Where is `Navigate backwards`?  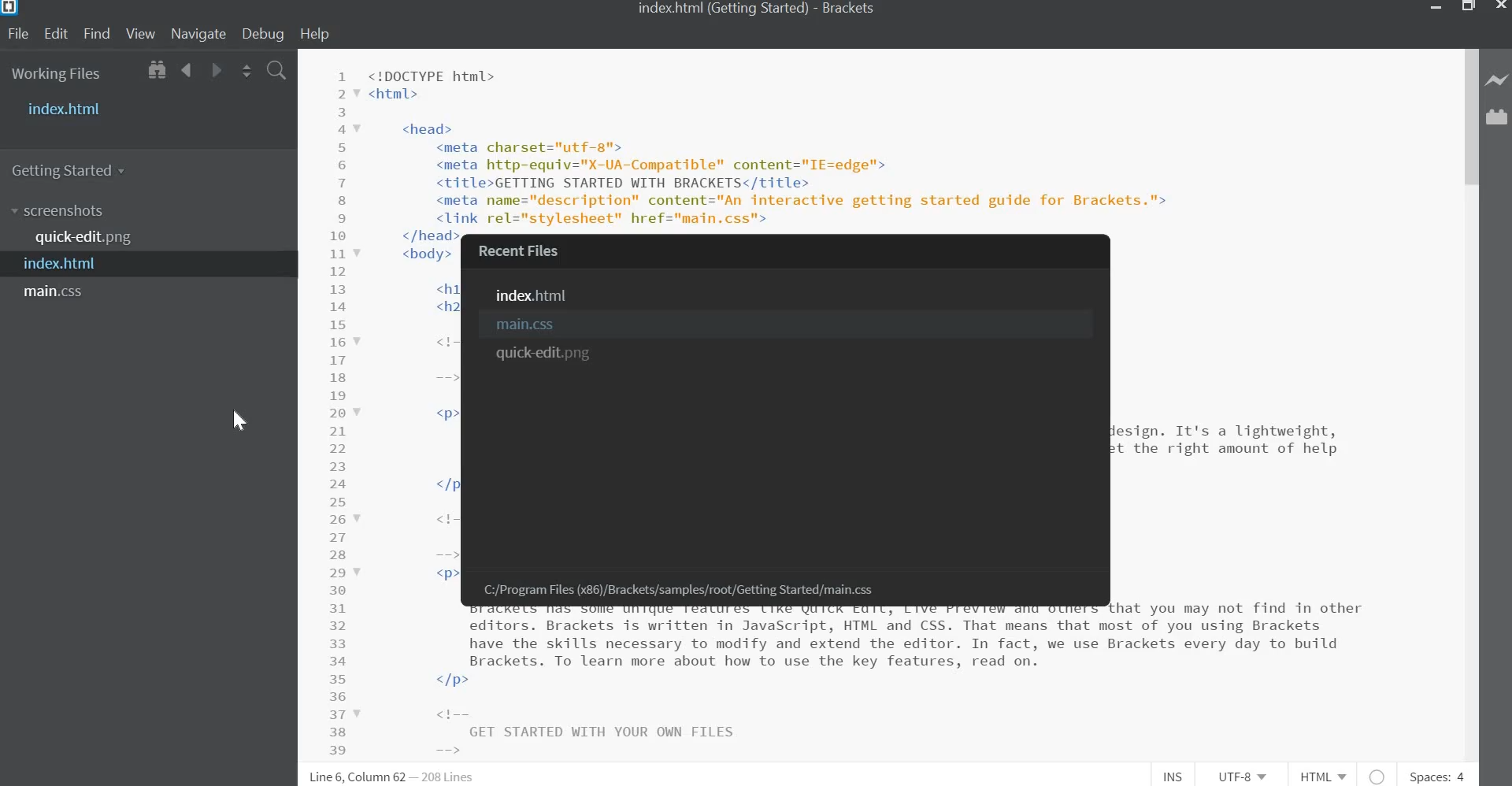 Navigate backwards is located at coordinates (187, 72).